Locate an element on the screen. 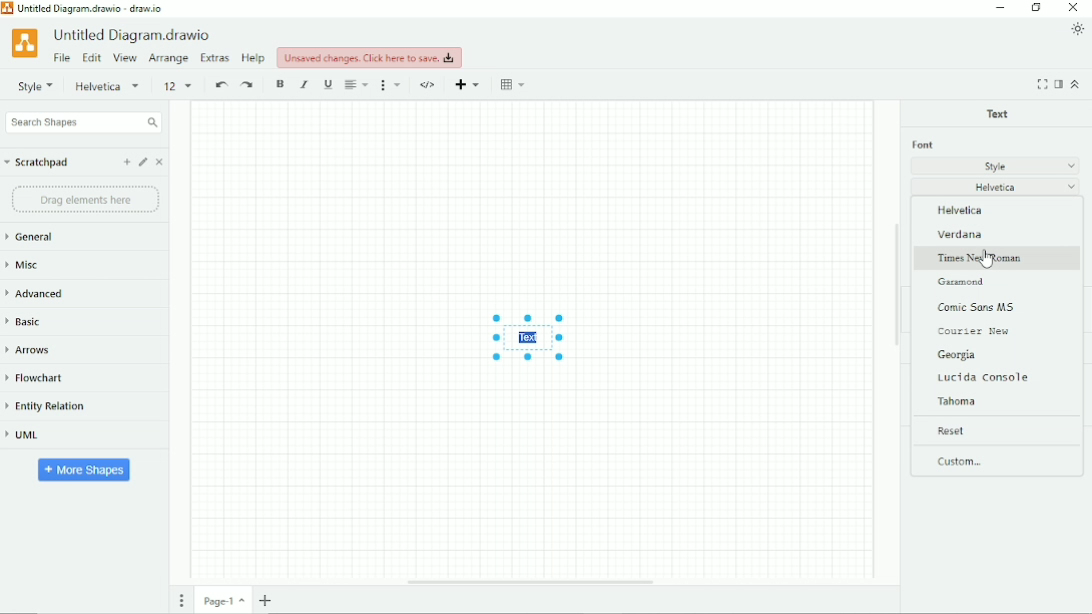 The width and height of the screenshot is (1092, 614). Lucida Console is located at coordinates (985, 377).